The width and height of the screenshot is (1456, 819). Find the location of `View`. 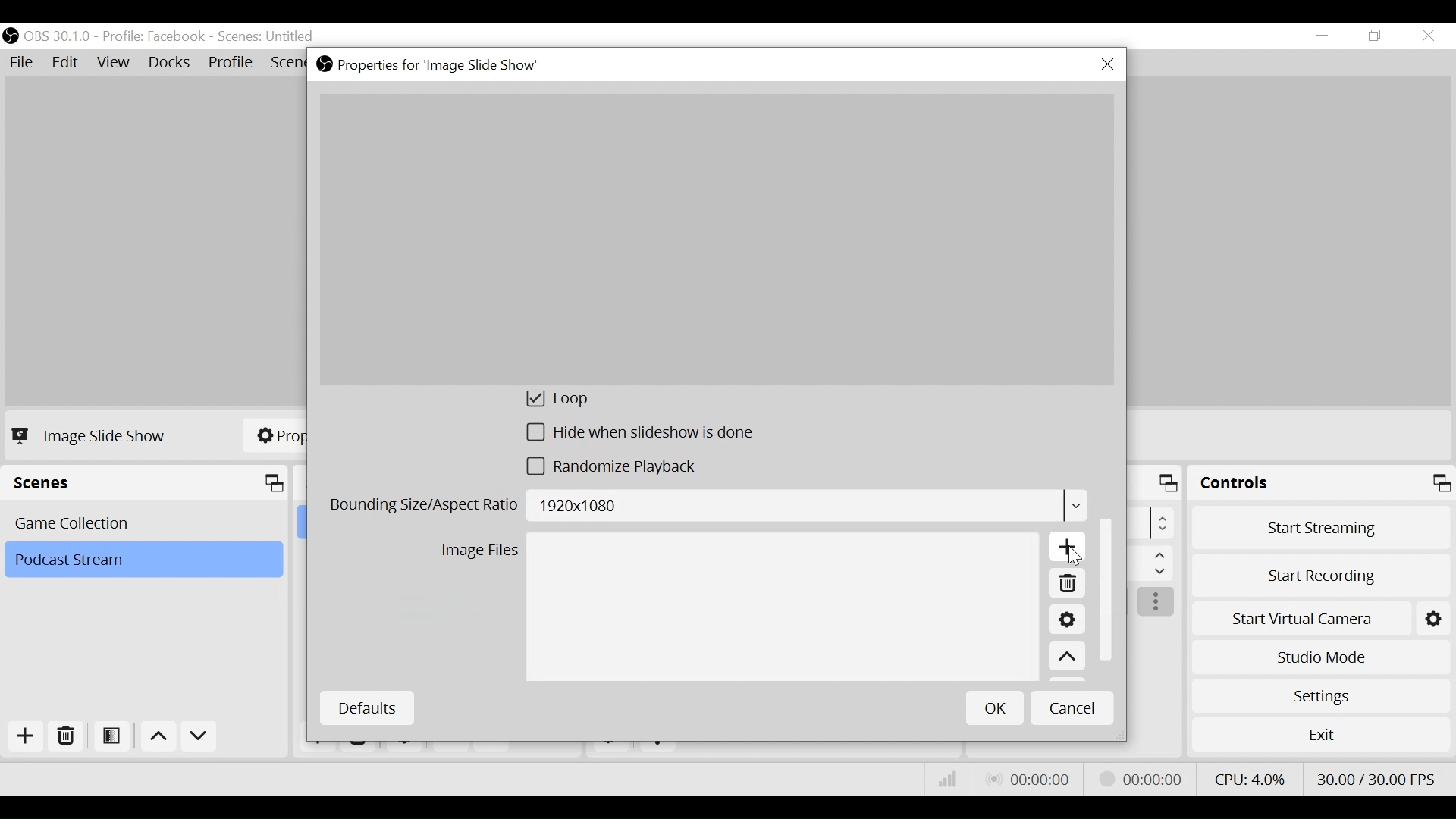

View is located at coordinates (116, 64).